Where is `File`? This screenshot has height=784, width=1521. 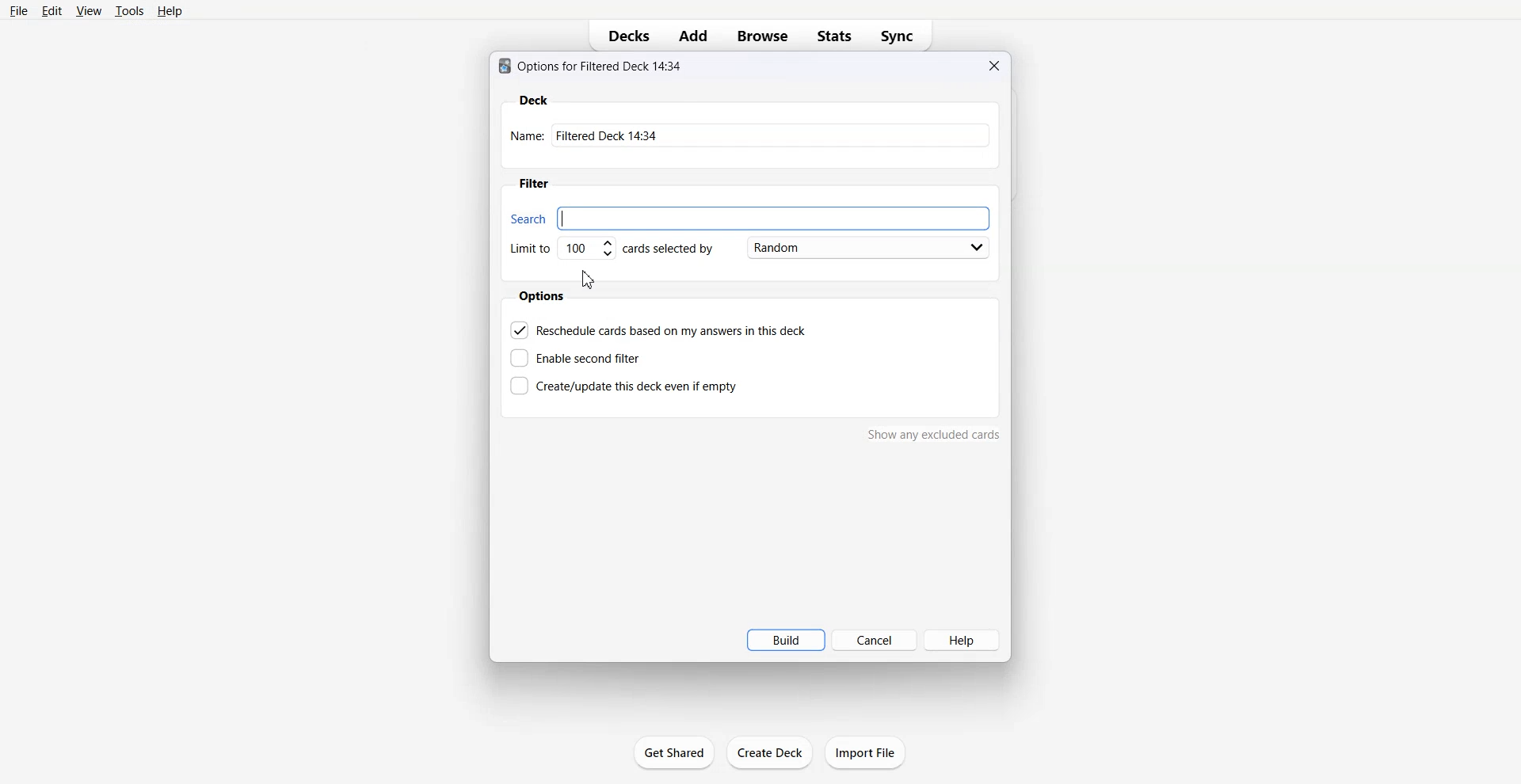 File is located at coordinates (19, 11).